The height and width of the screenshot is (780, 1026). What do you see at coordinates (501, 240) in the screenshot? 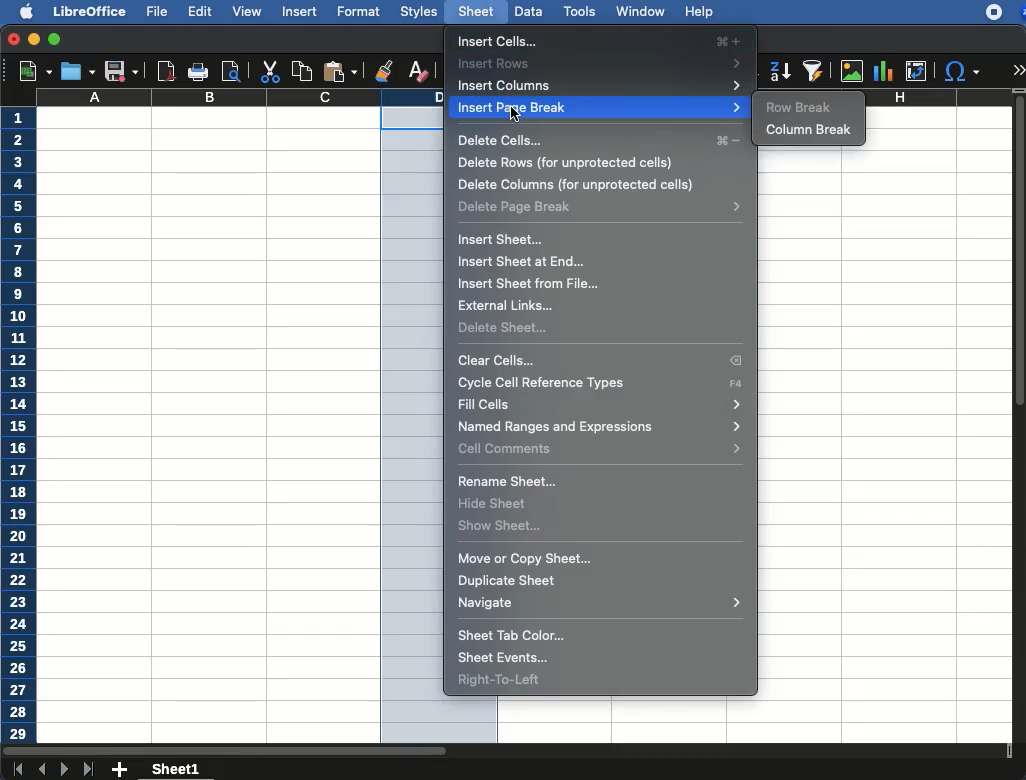
I see `insert sheet` at bounding box center [501, 240].